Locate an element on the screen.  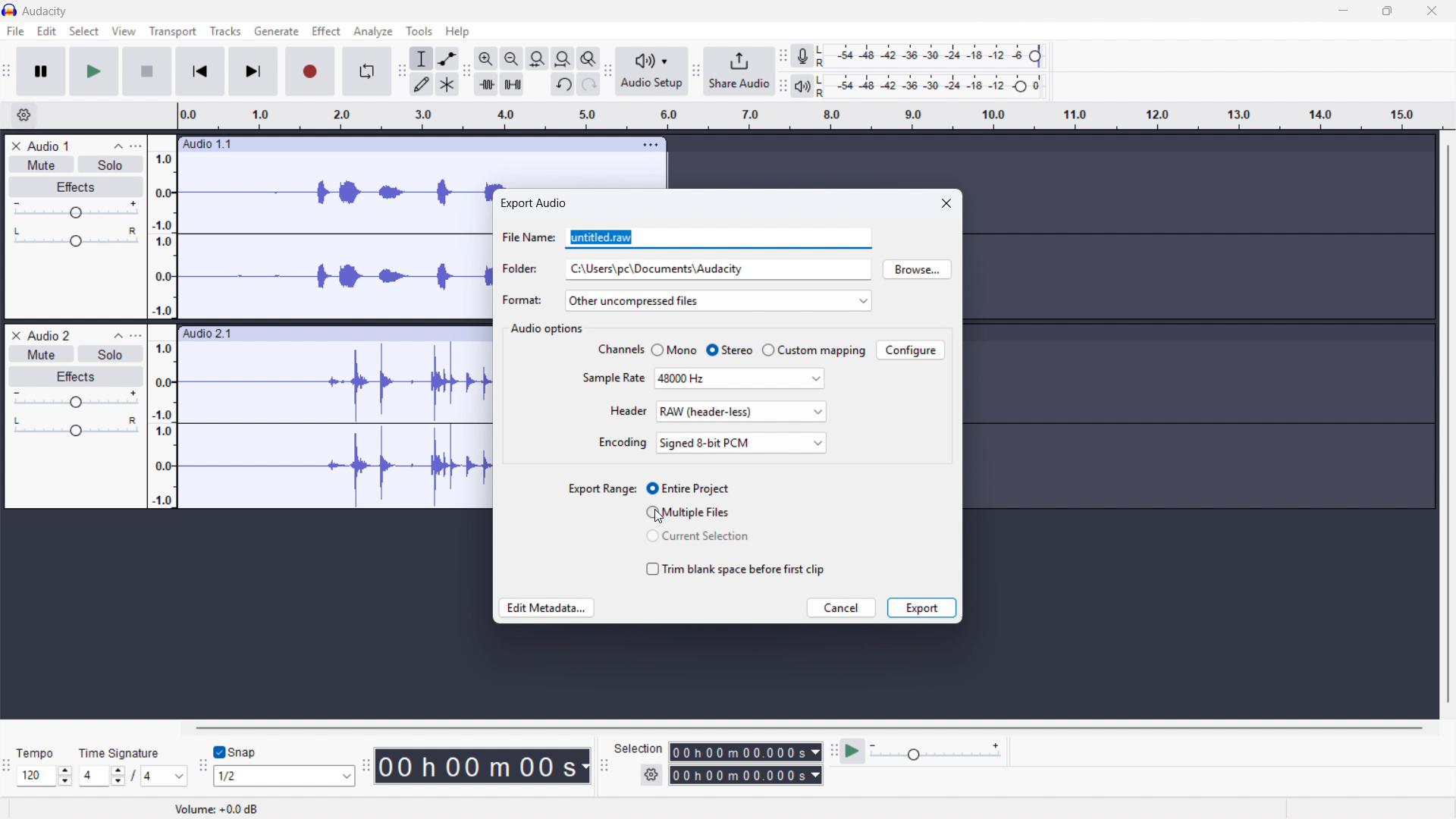
Trim audio outside selection is located at coordinates (486, 83).